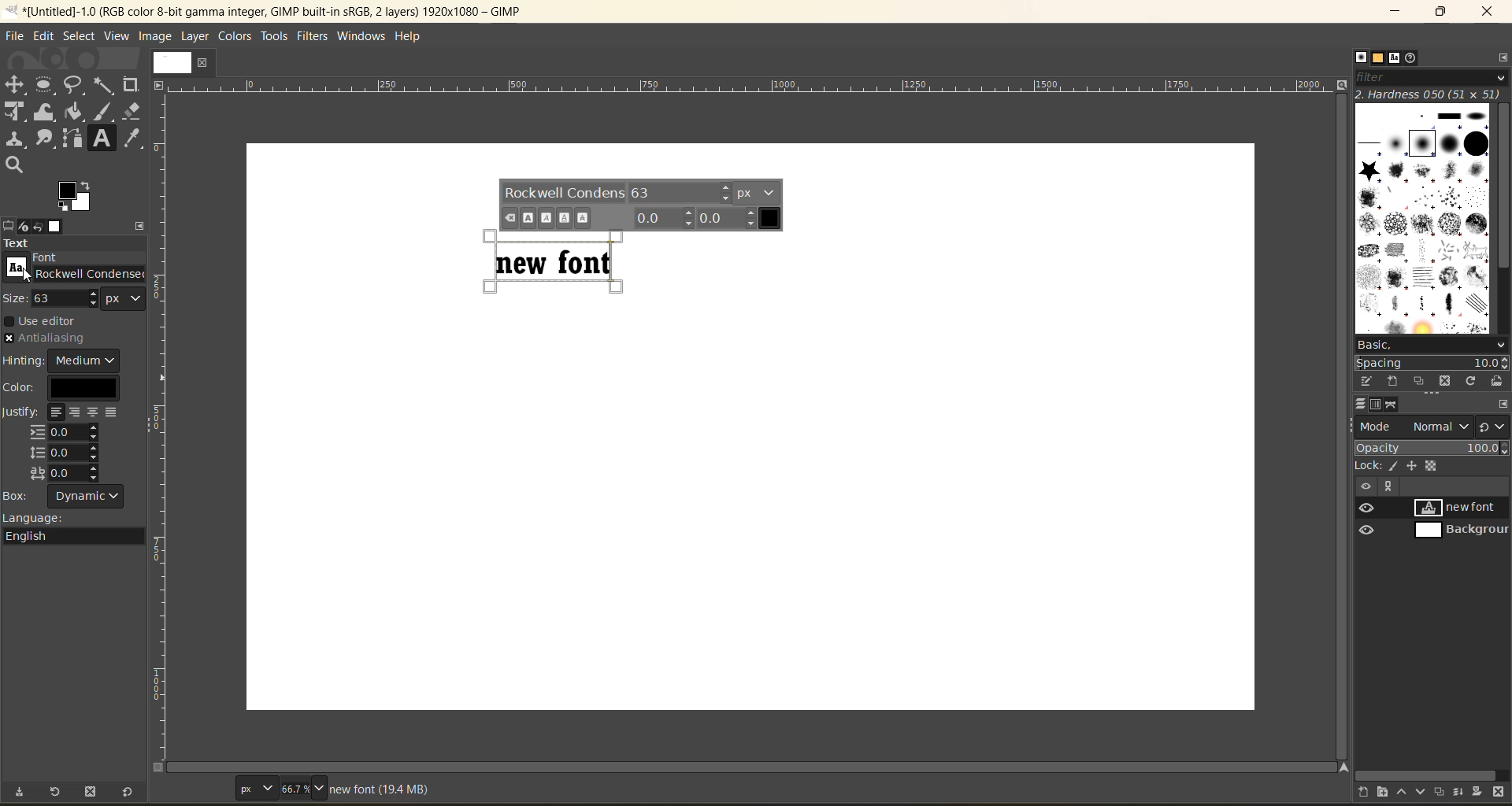  What do you see at coordinates (1444, 791) in the screenshot?
I see `create a duplicate layer` at bounding box center [1444, 791].